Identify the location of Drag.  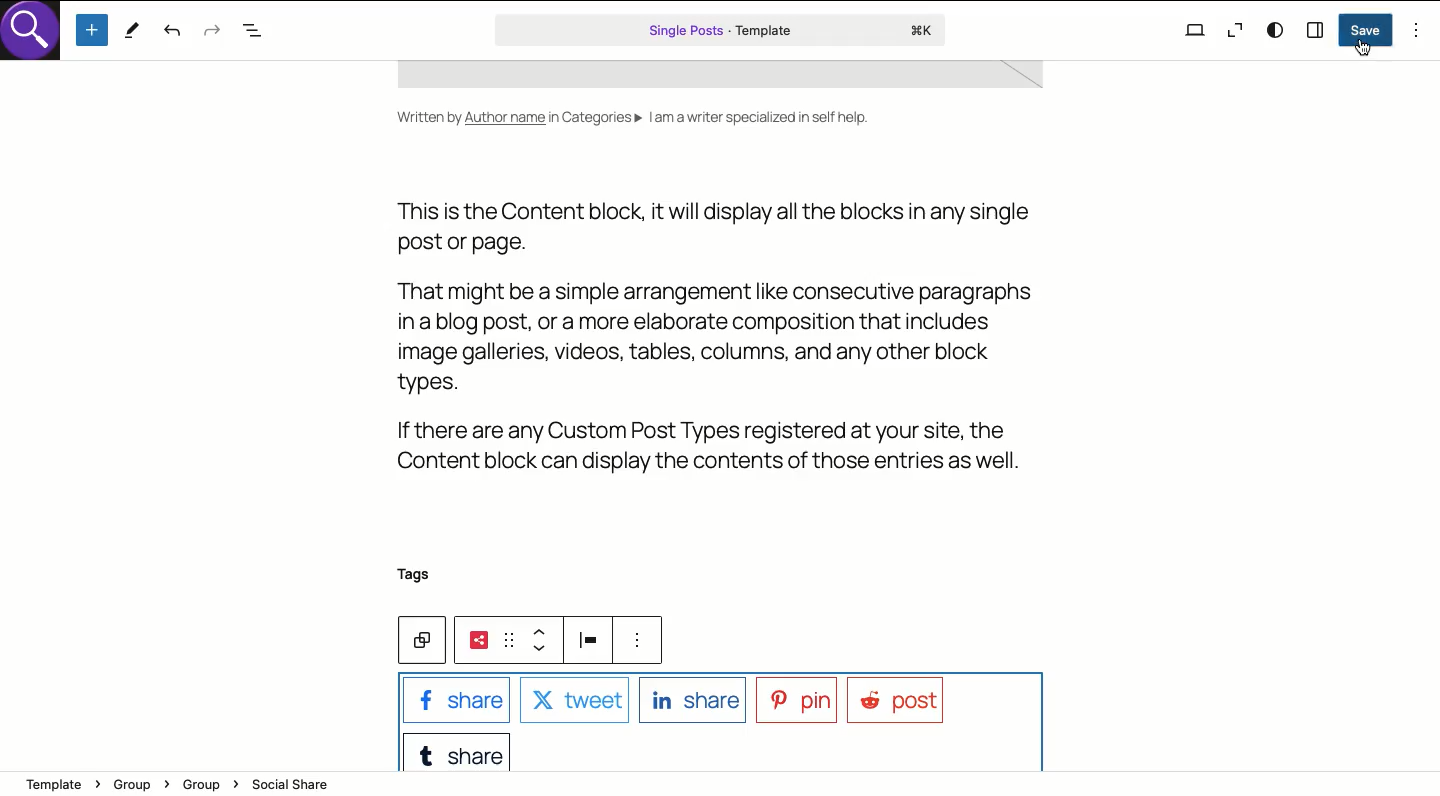
(509, 639).